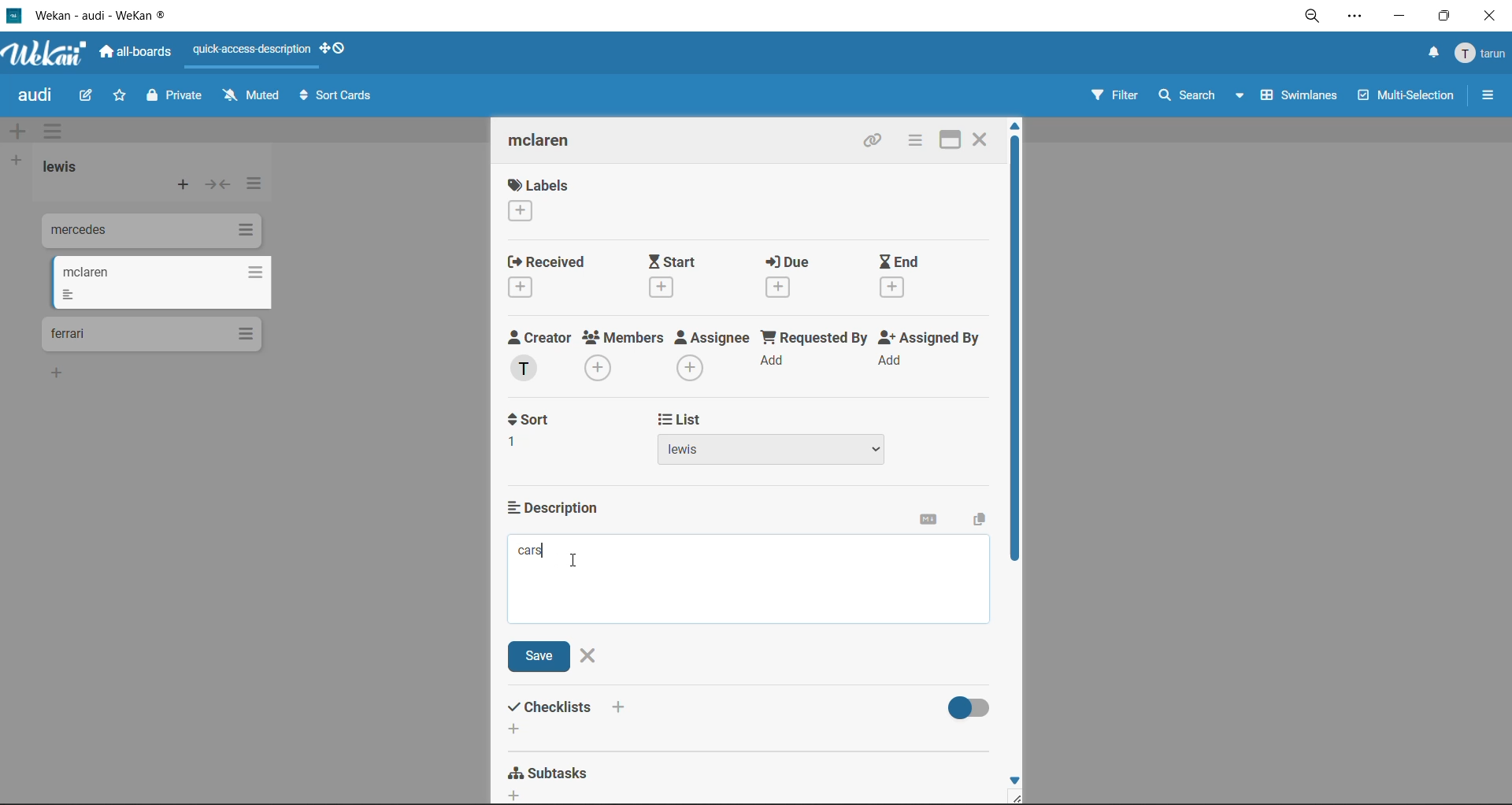 This screenshot has width=1512, height=805. What do you see at coordinates (713, 355) in the screenshot?
I see `assignee` at bounding box center [713, 355].